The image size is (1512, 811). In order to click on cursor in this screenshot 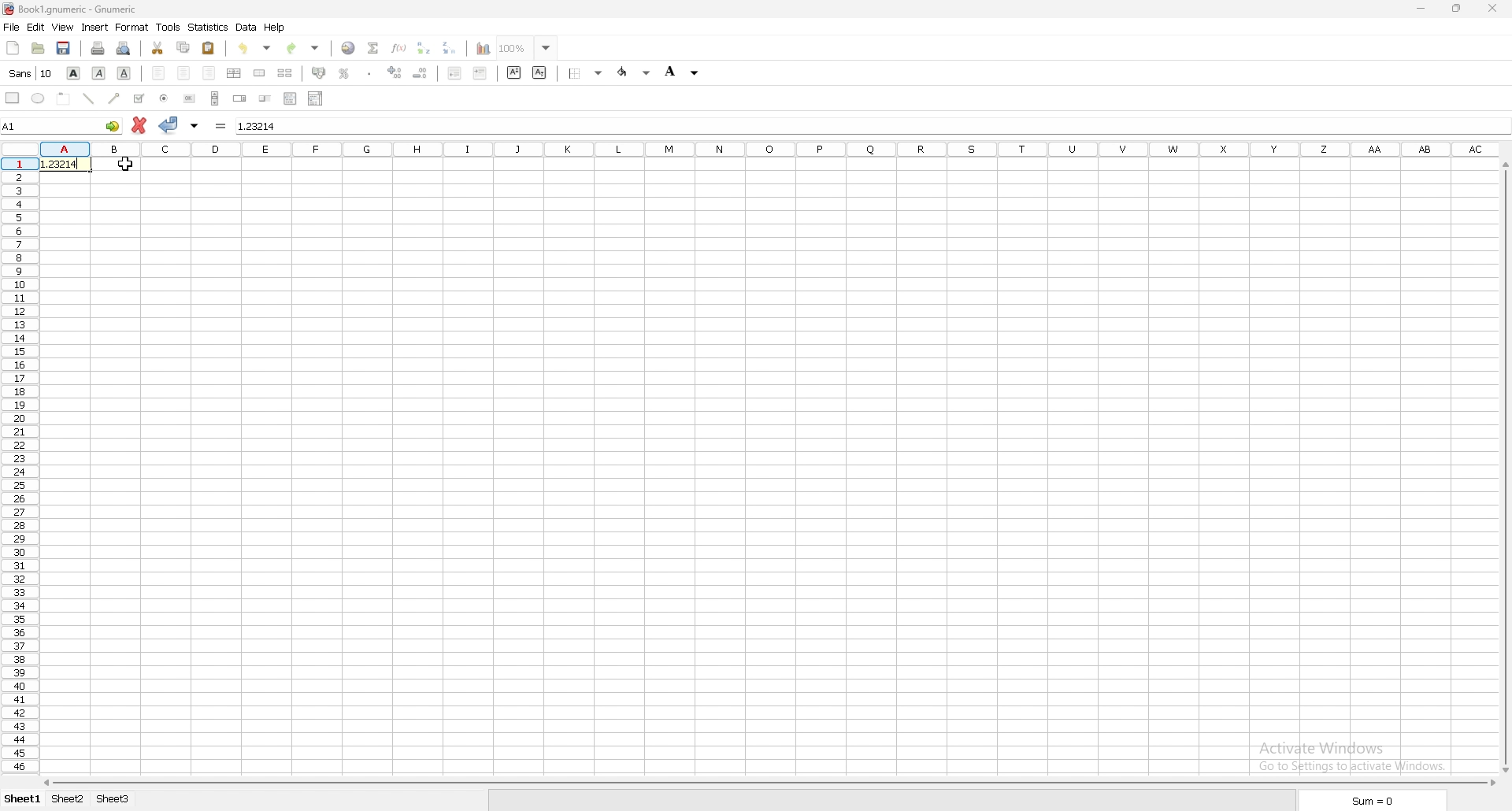, I will do `click(122, 164)`.